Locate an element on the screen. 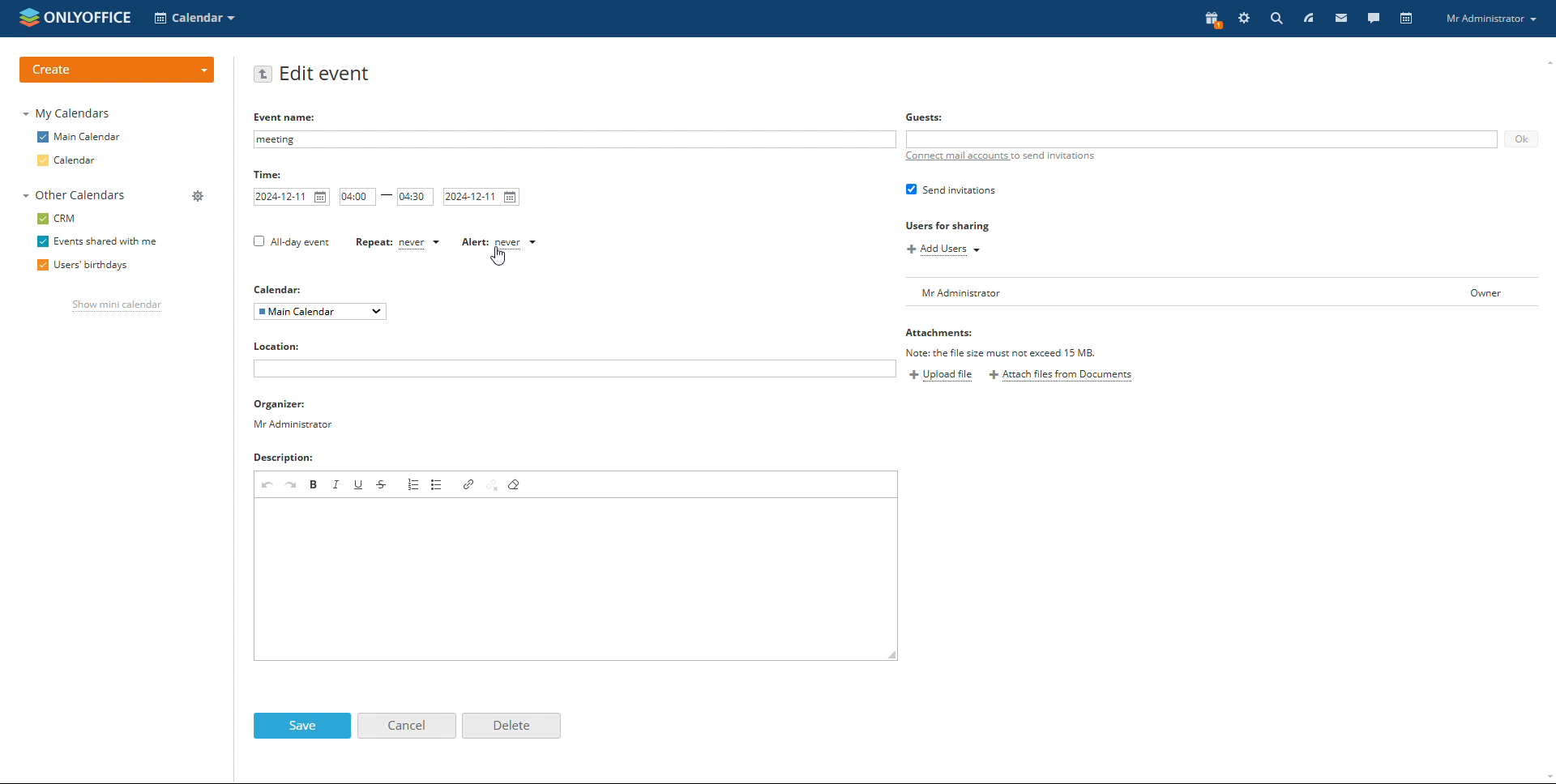  save is located at coordinates (302, 726).